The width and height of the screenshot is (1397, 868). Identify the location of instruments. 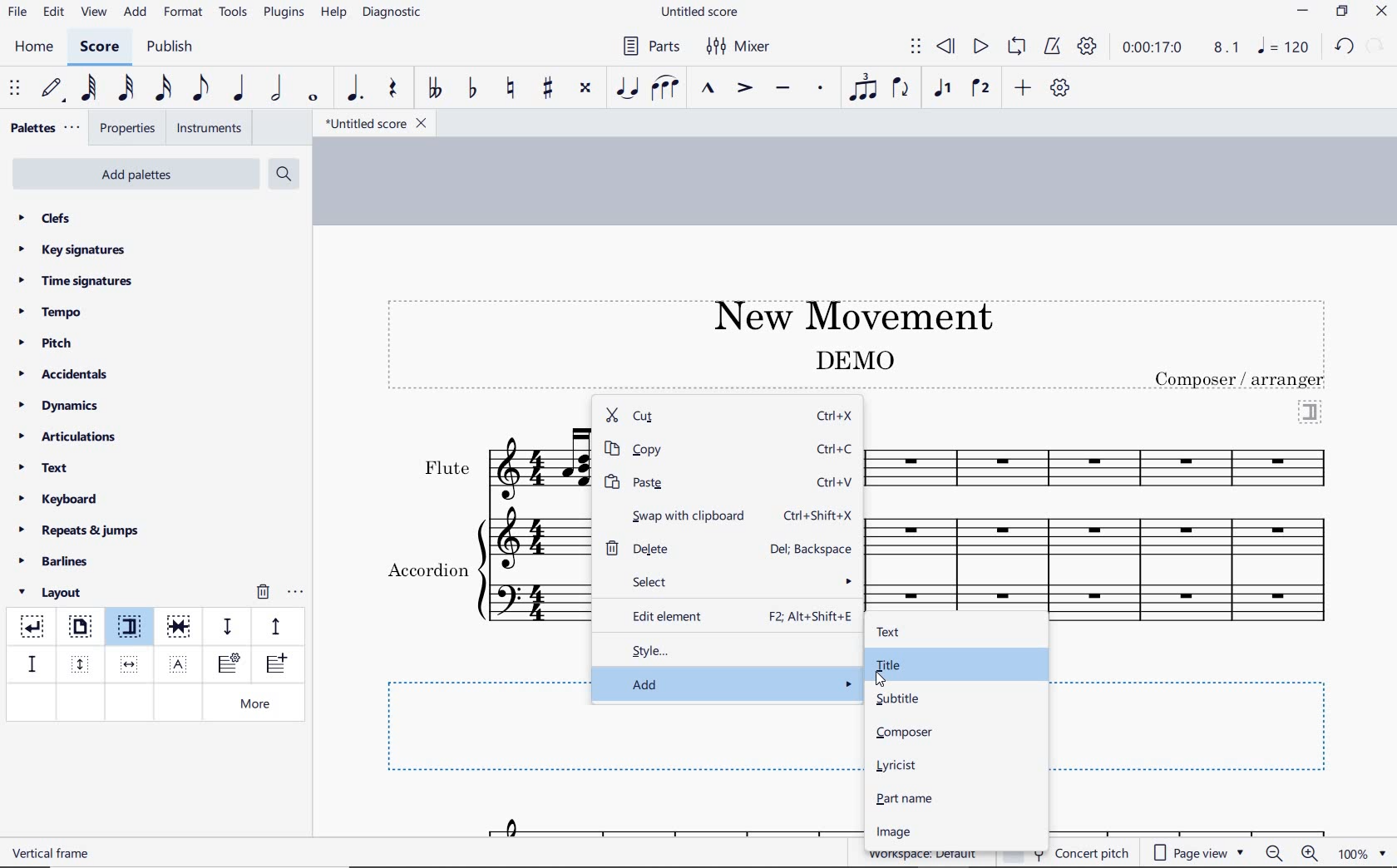
(206, 129).